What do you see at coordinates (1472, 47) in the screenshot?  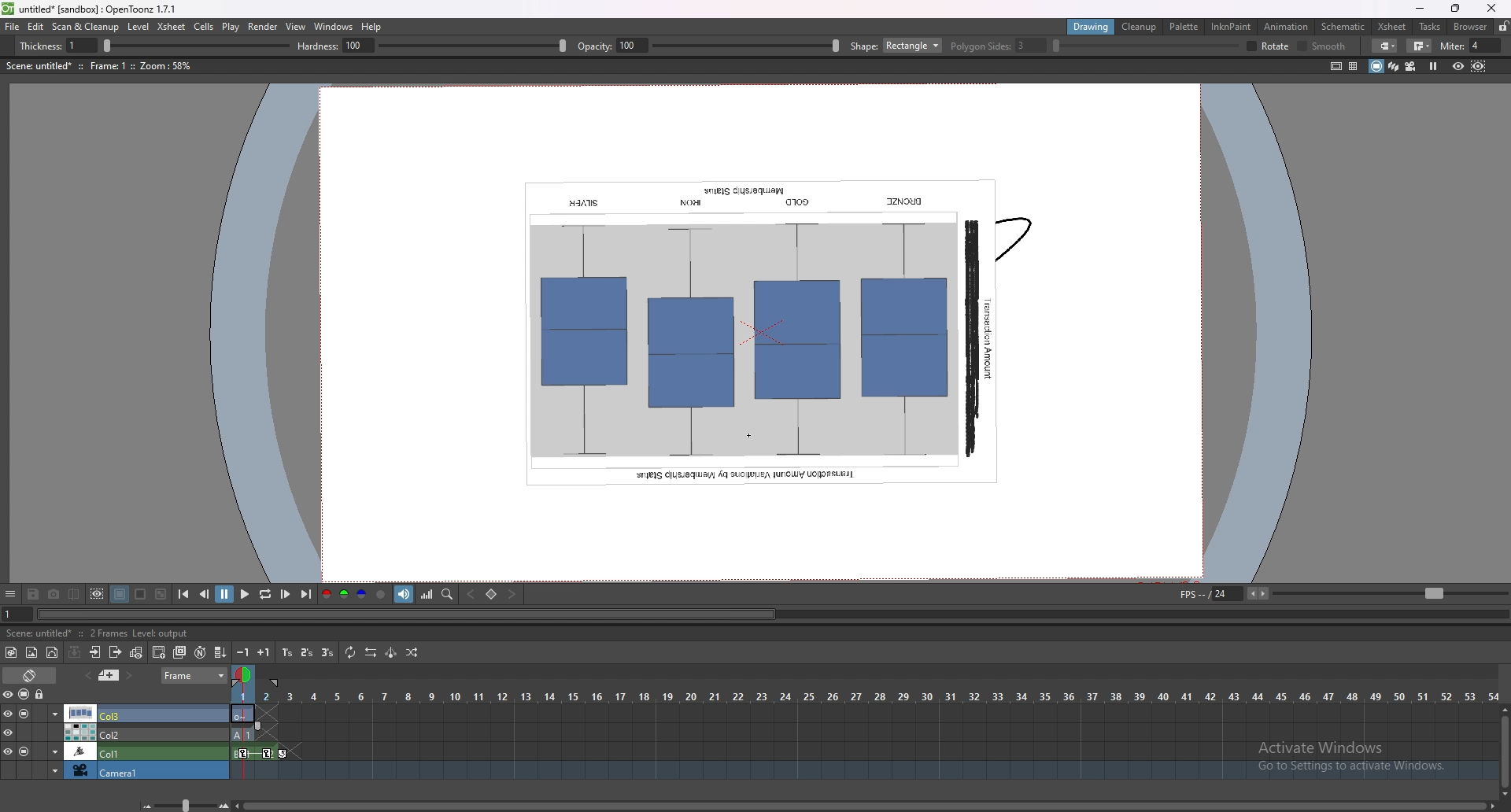 I see `miter` at bounding box center [1472, 47].